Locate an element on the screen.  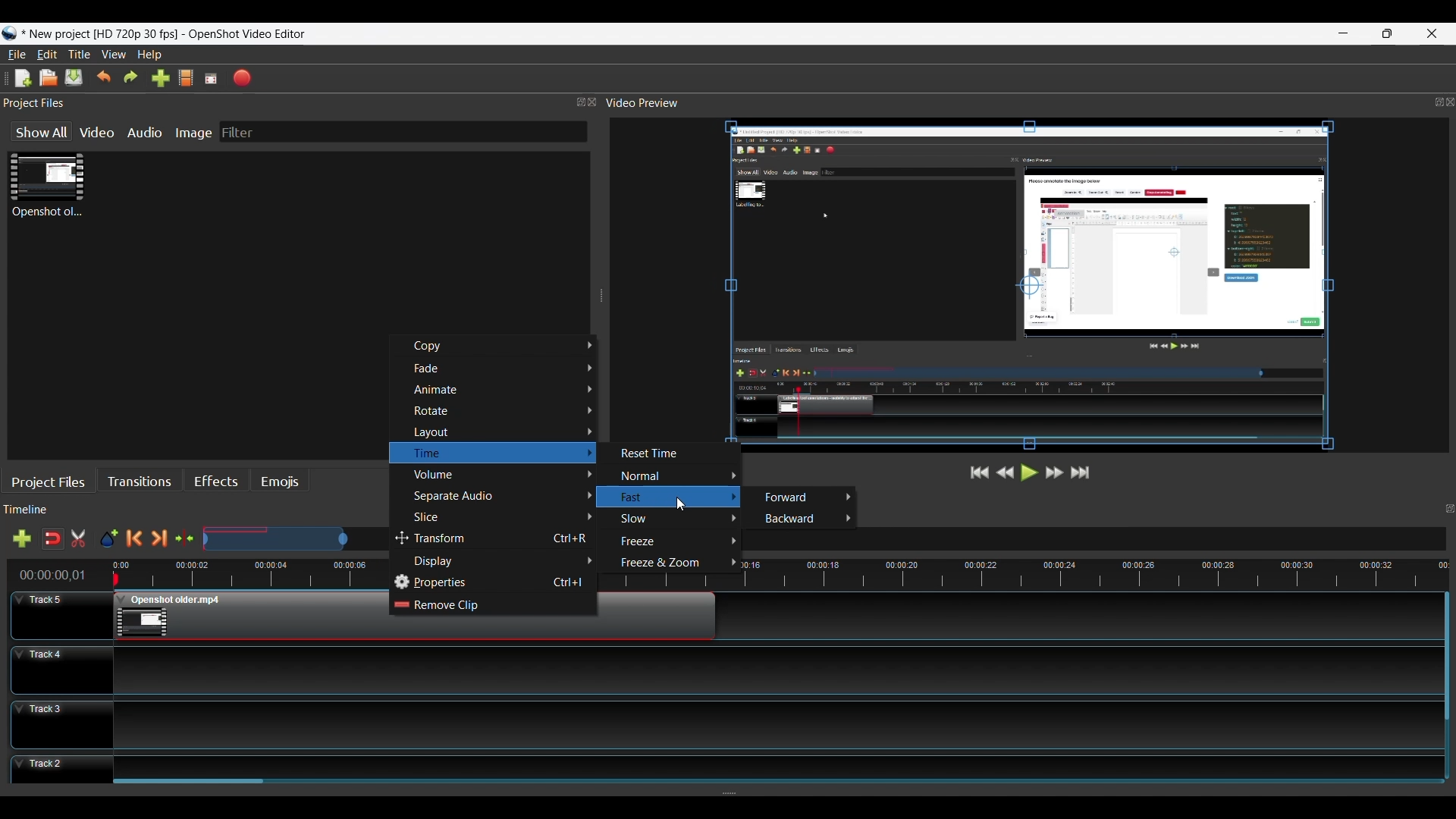
Slice is located at coordinates (501, 518).